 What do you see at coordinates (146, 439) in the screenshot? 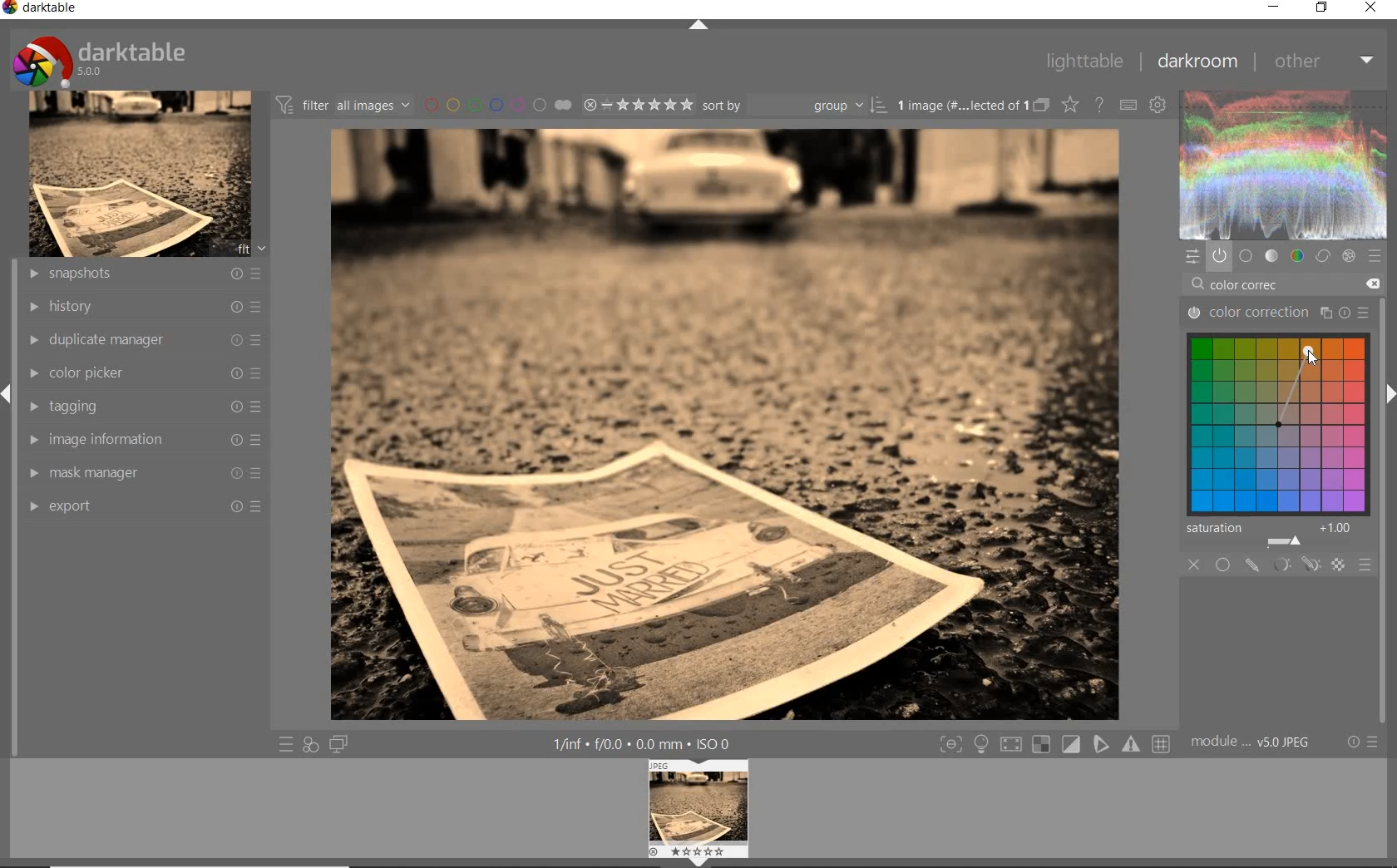
I see `image information` at bounding box center [146, 439].